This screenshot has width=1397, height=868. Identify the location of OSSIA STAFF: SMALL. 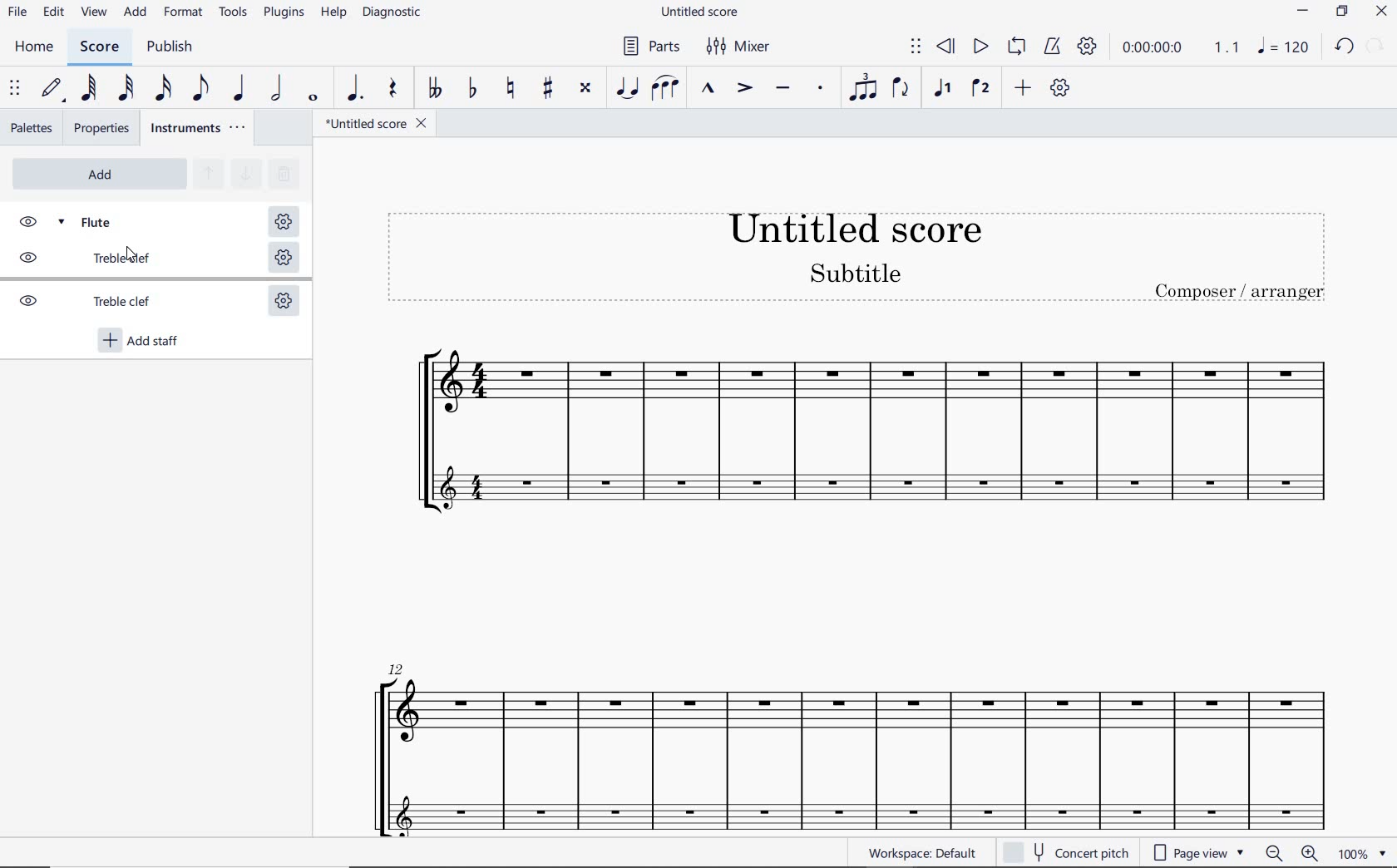
(842, 808).